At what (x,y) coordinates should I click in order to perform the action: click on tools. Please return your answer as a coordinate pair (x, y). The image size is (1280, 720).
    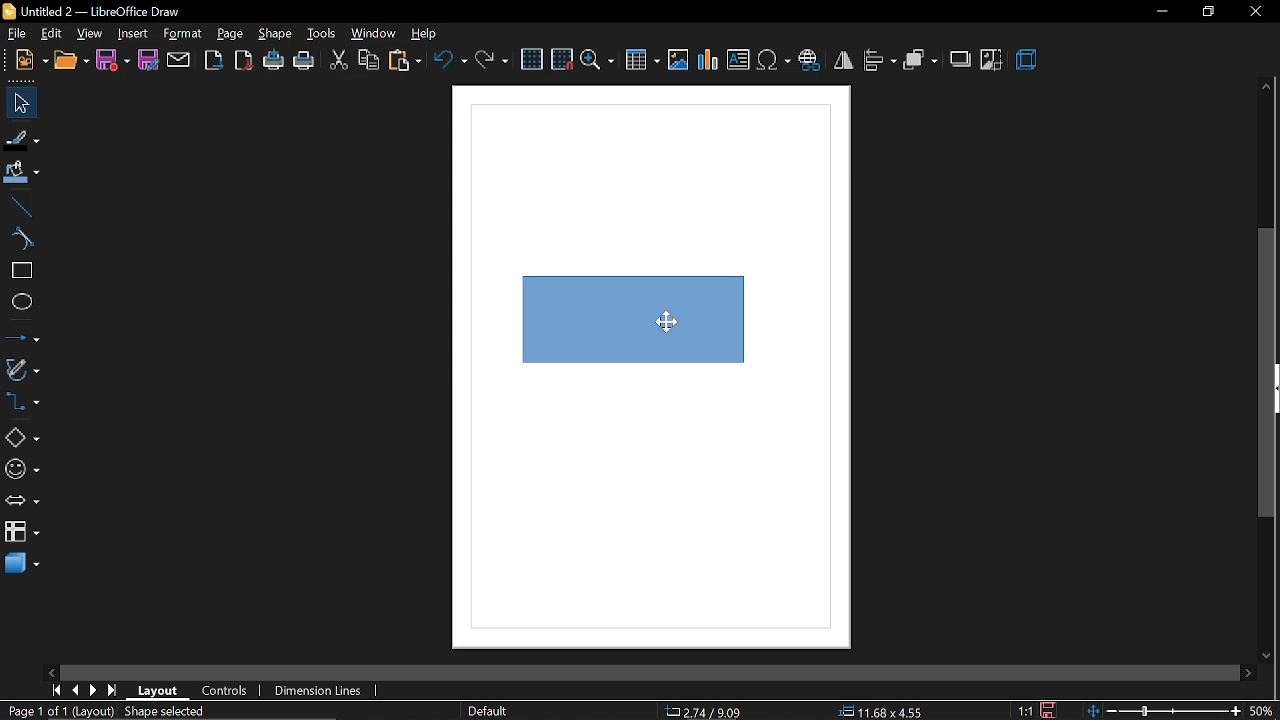
    Looking at the image, I should click on (322, 31).